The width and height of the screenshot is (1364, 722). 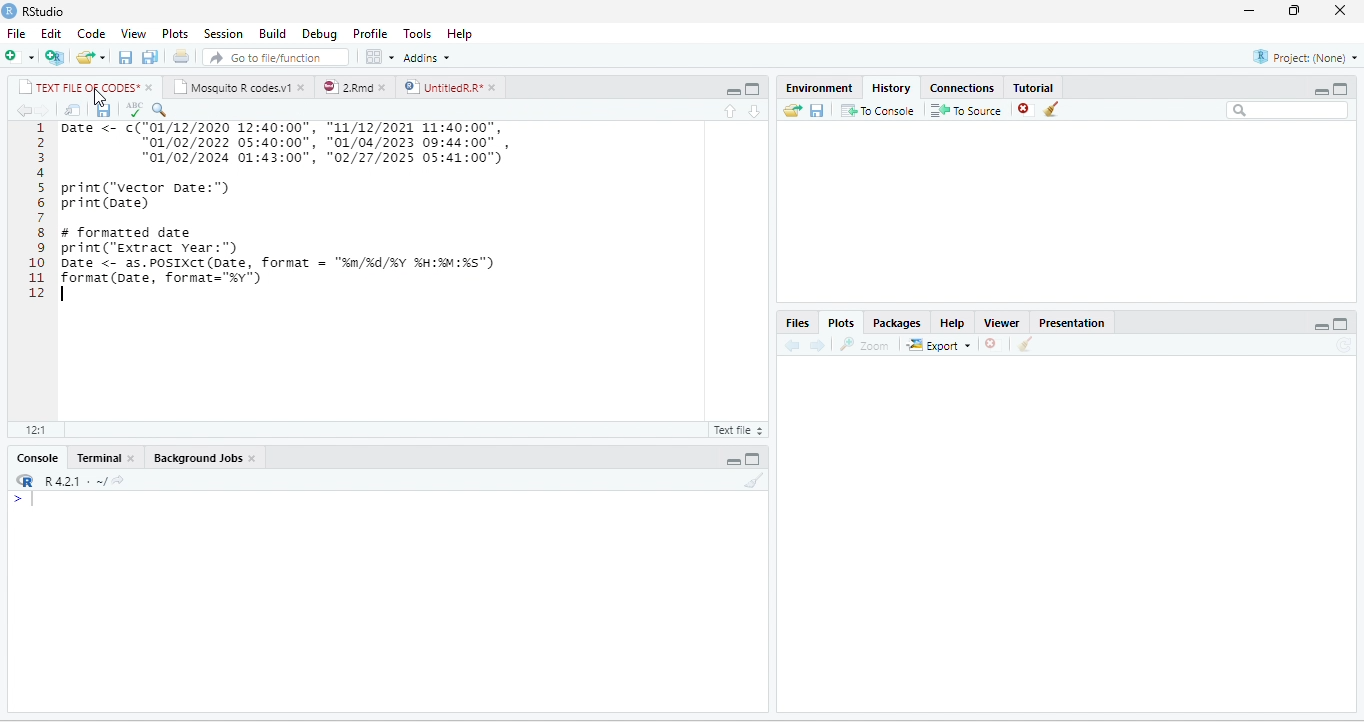 What do you see at coordinates (494, 88) in the screenshot?
I see `close` at bounding box center [494, 88].